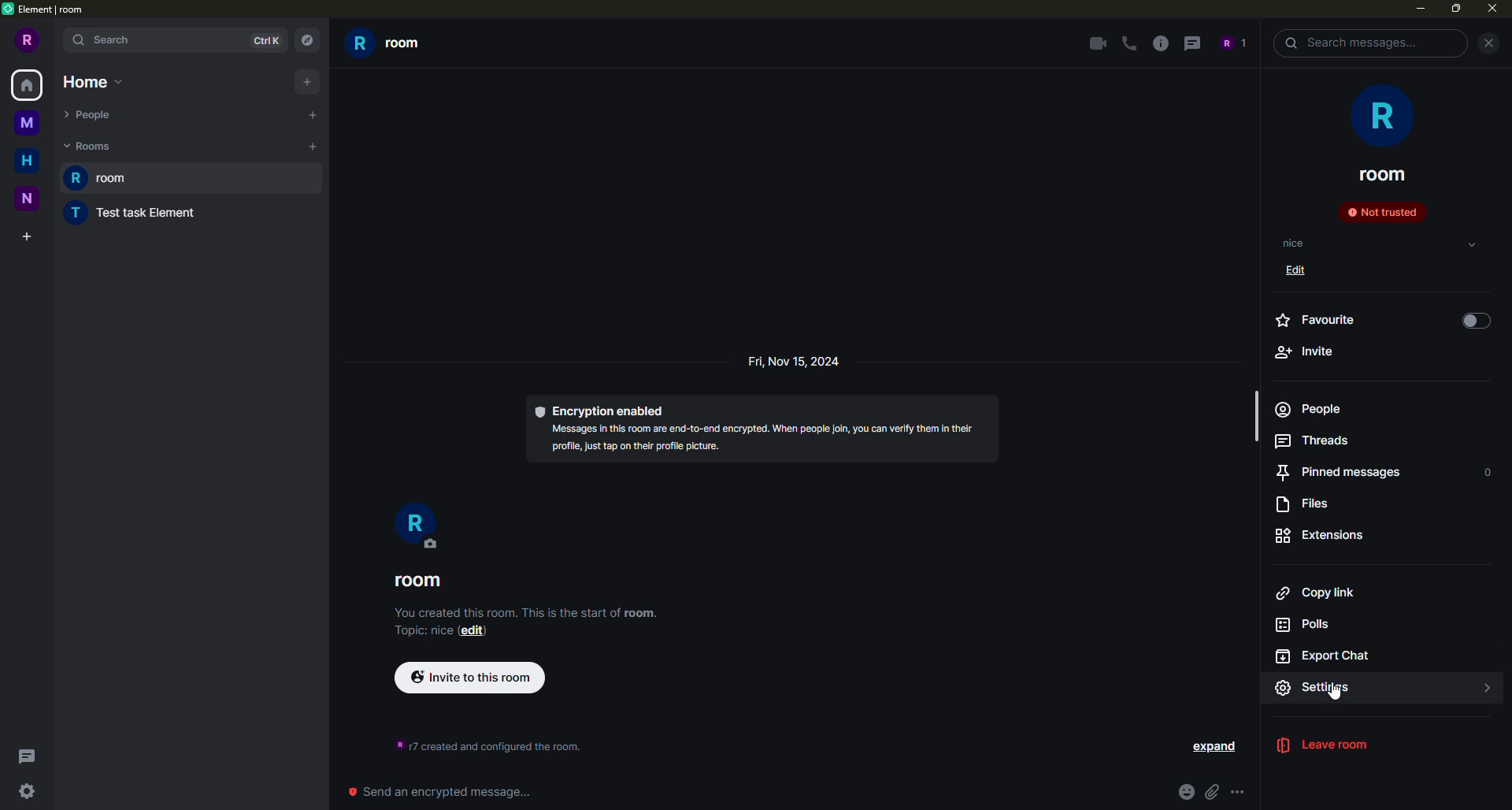  I want to click on settings, so click(30, 791).